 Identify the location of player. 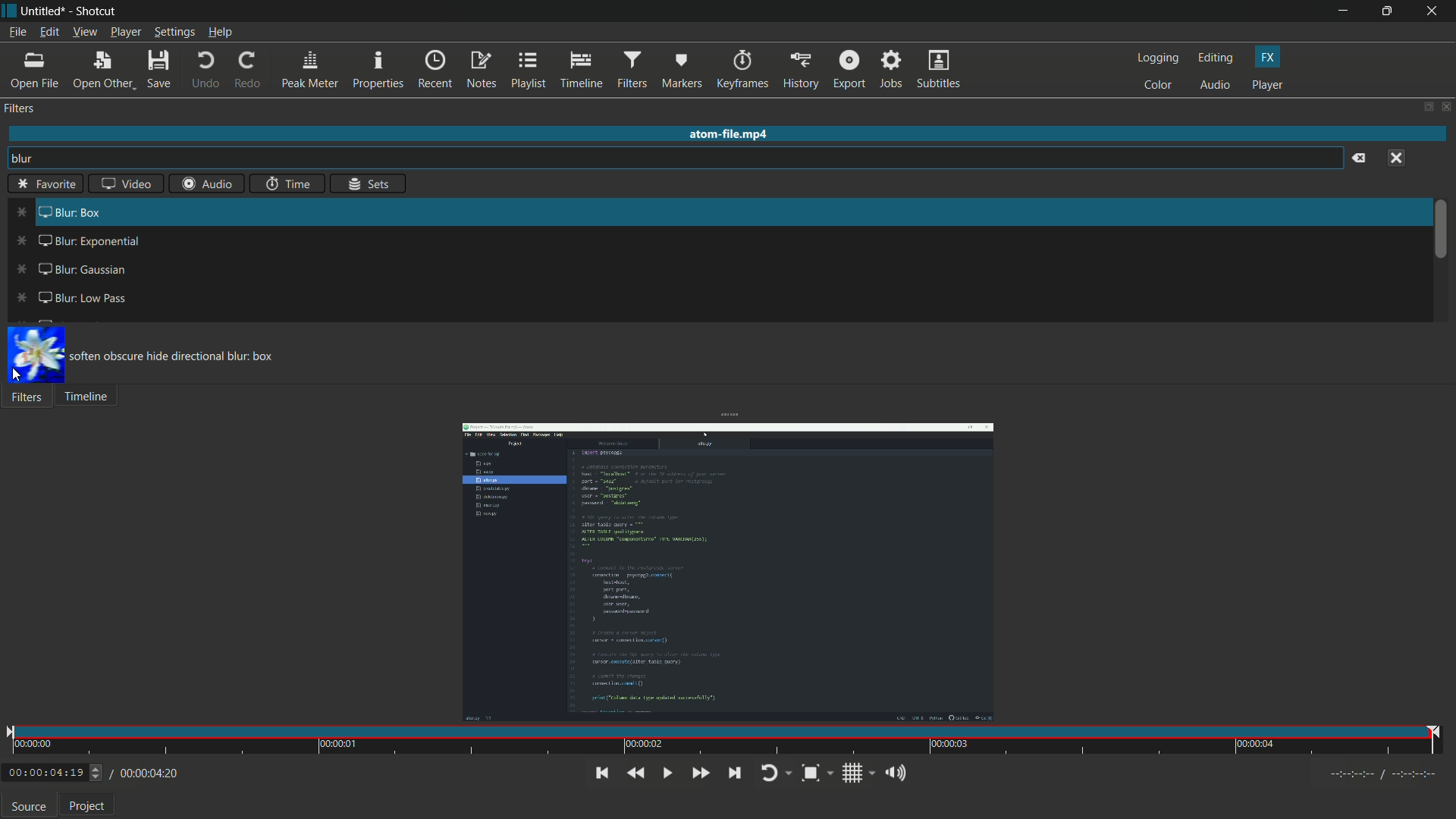
(1268, 84).